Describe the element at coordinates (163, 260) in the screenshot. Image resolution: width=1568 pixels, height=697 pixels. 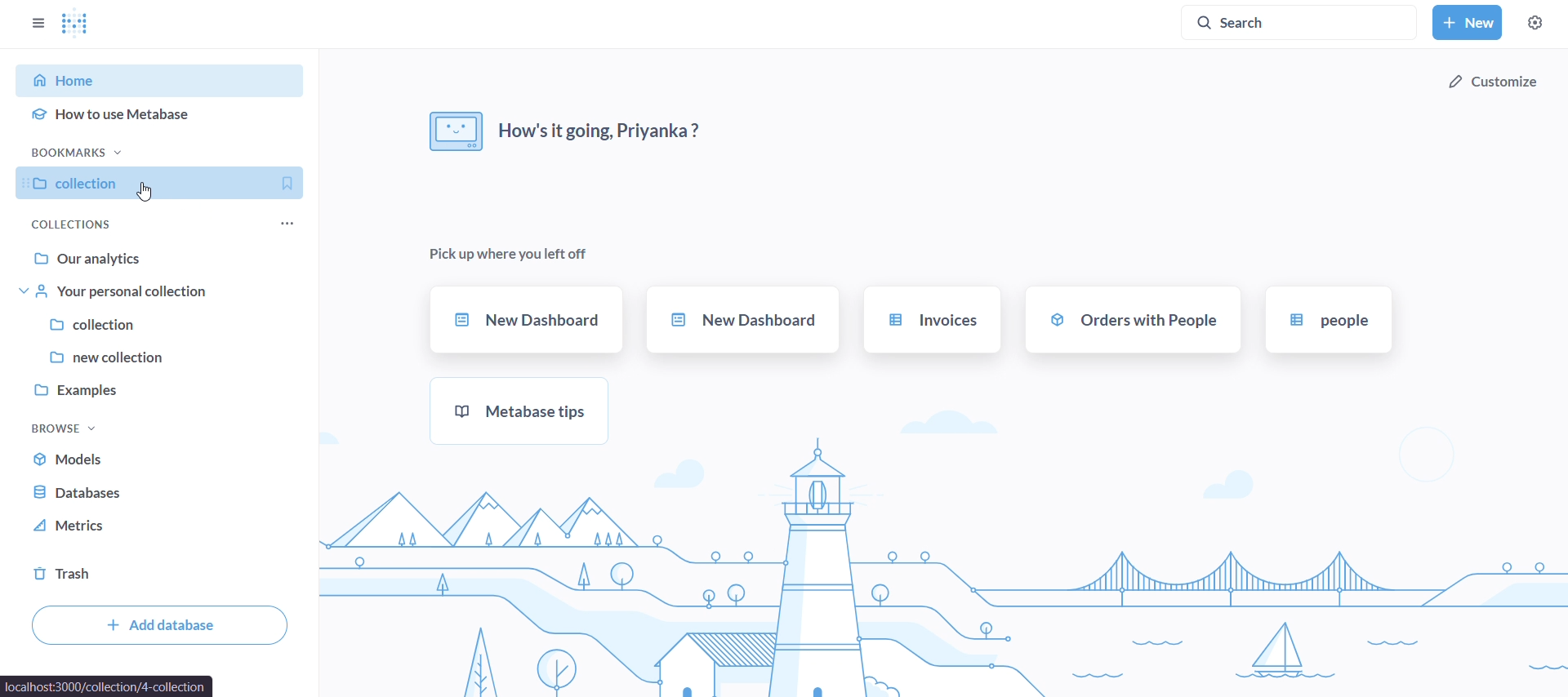
I see `our analytics` at that location.